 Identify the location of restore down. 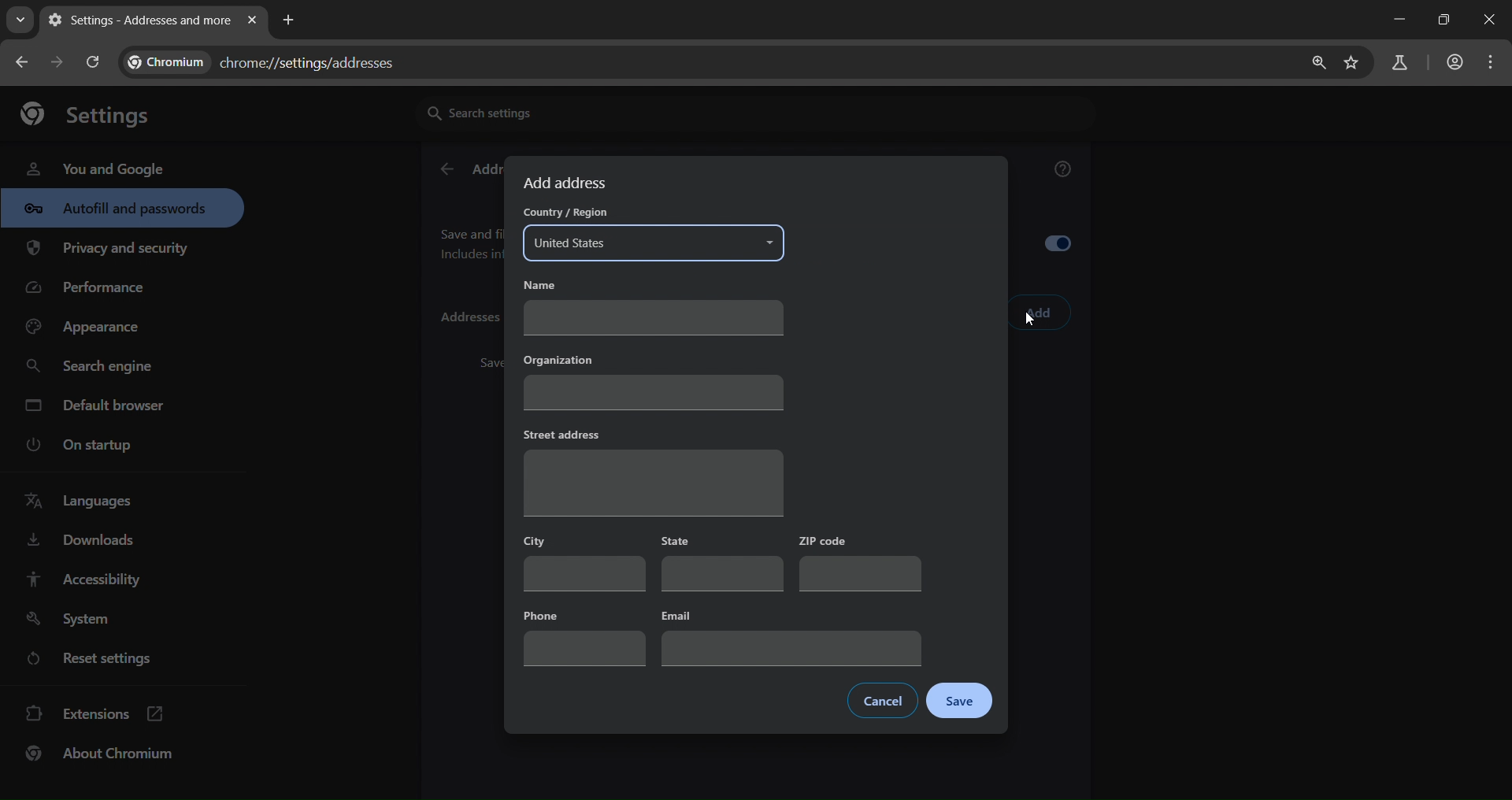
(1441, 20).